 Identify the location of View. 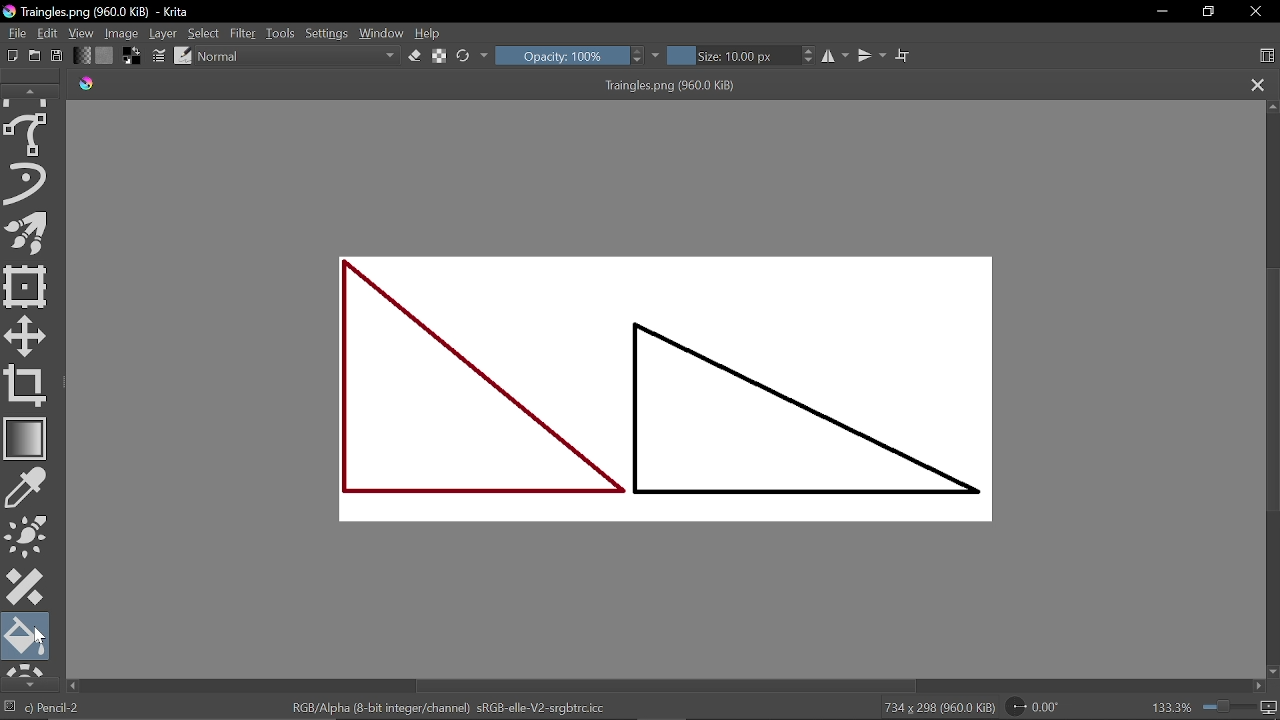
(82, 34).